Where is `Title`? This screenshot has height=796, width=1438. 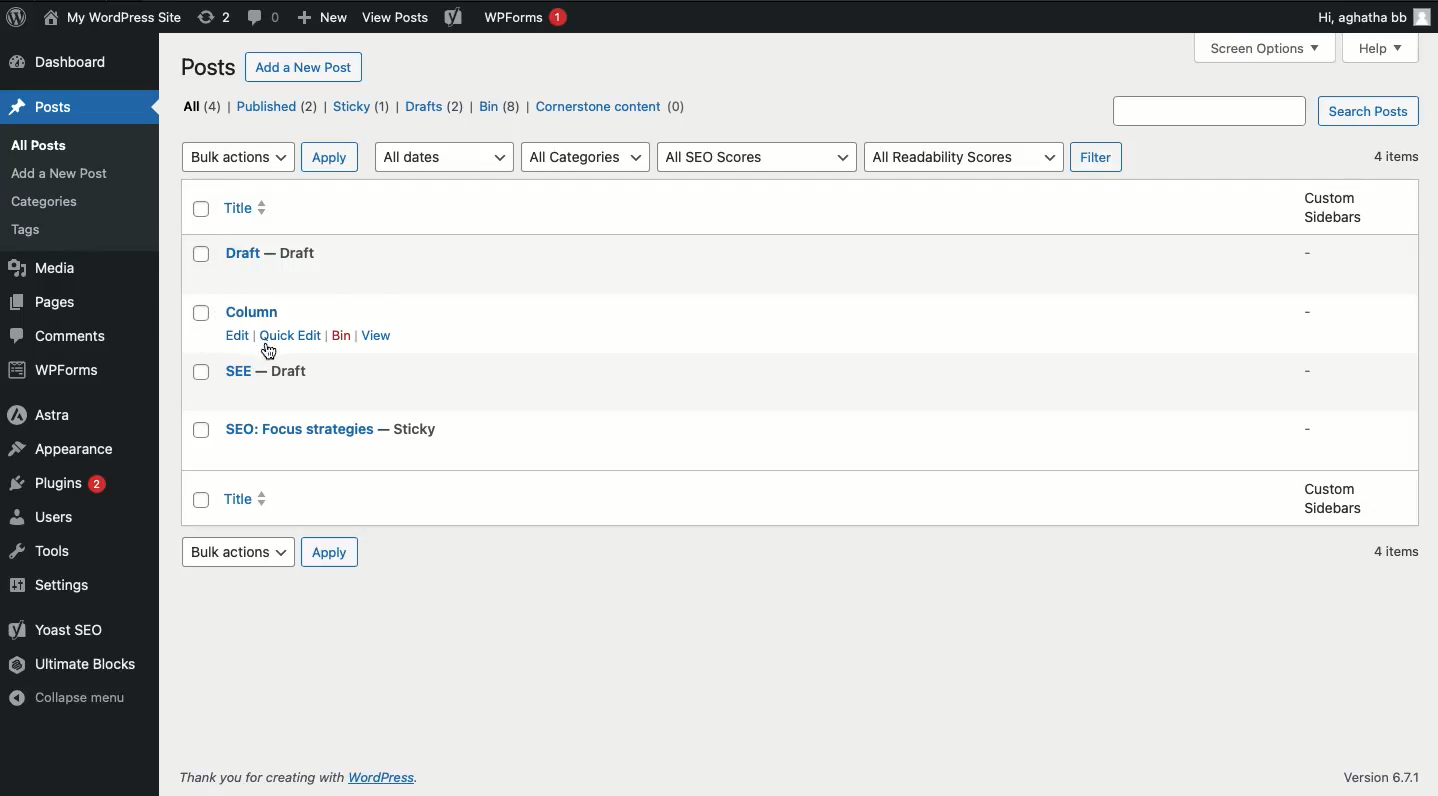
Title is located at coordinates (244, 499).